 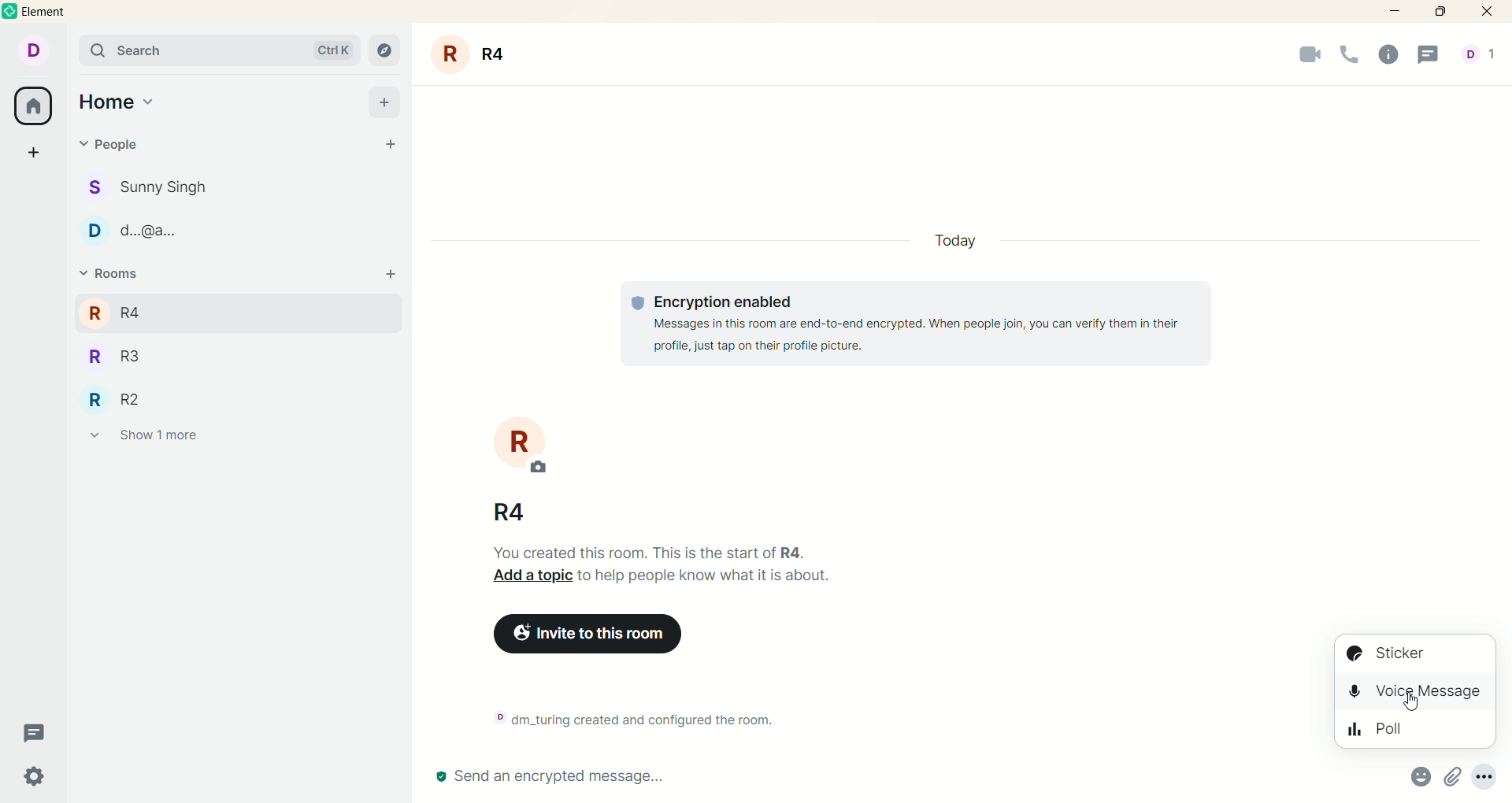 I want to click on all rooms, so click(x=34, y=108).